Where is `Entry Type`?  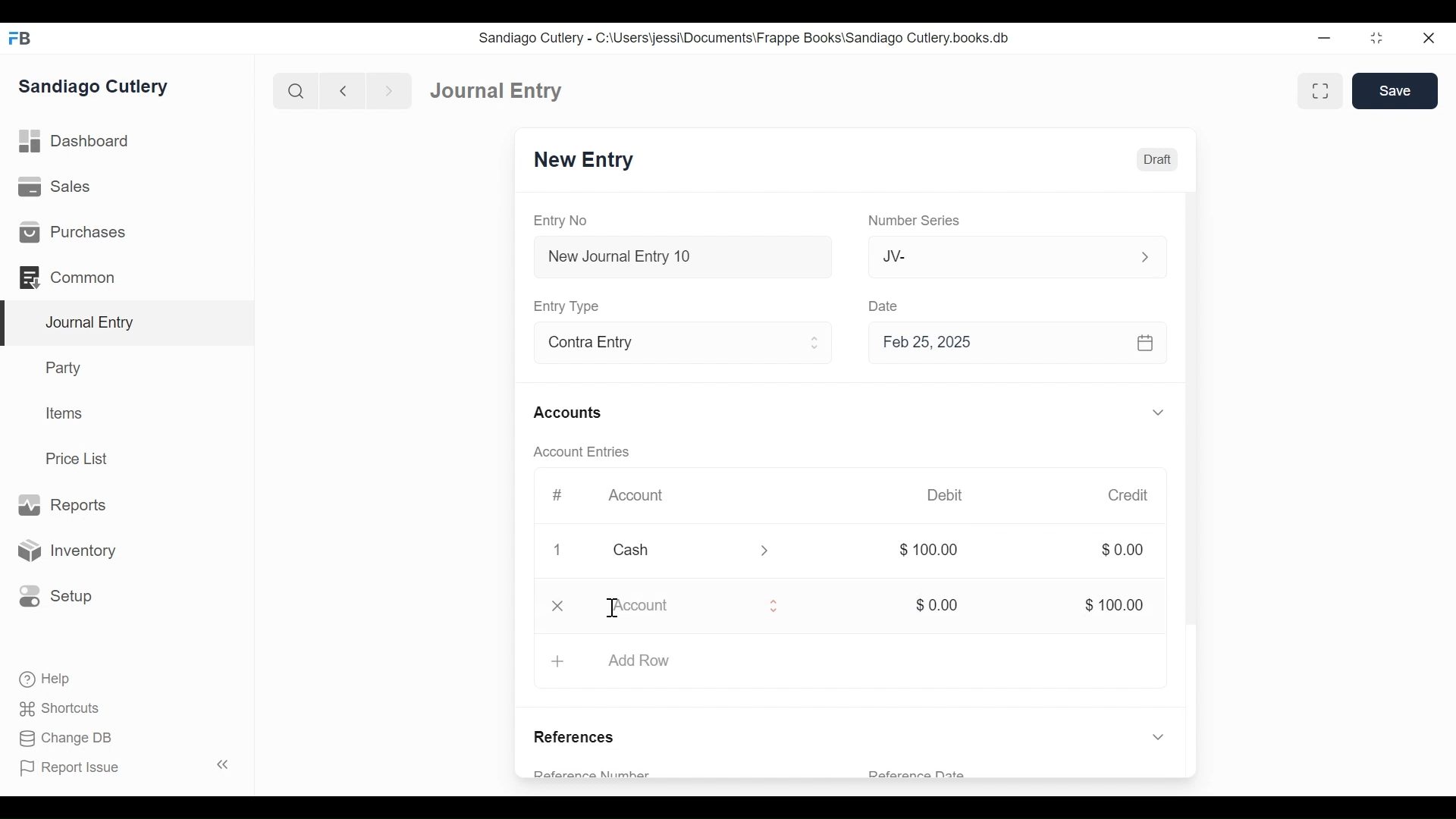 Entry Type is located at coordinates (571, 306).